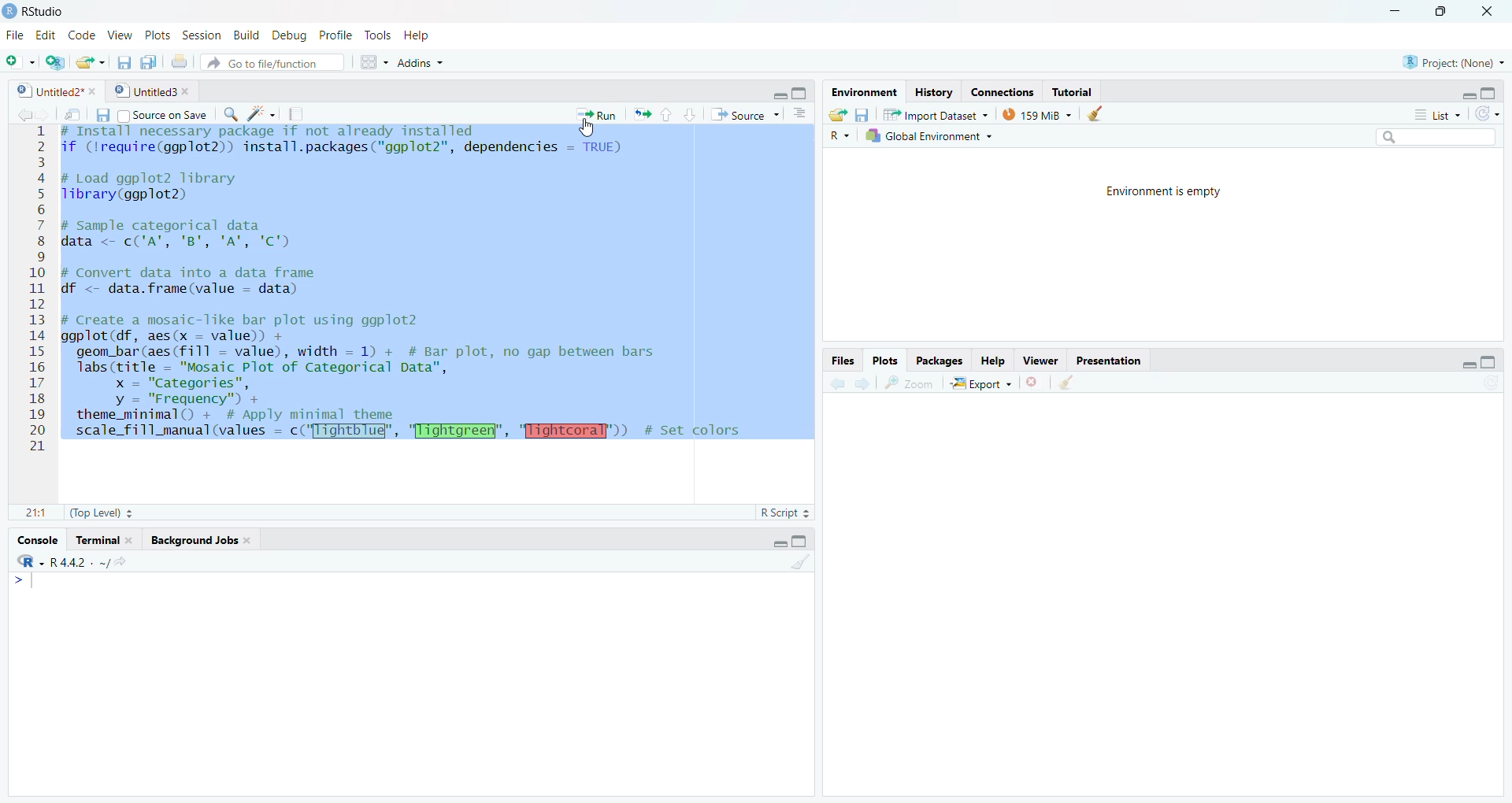 The image size is (1512, 803). What do you see at coordinates (45, 115) in the screenshot?
I see `Next` at bounding box center [45, 115].